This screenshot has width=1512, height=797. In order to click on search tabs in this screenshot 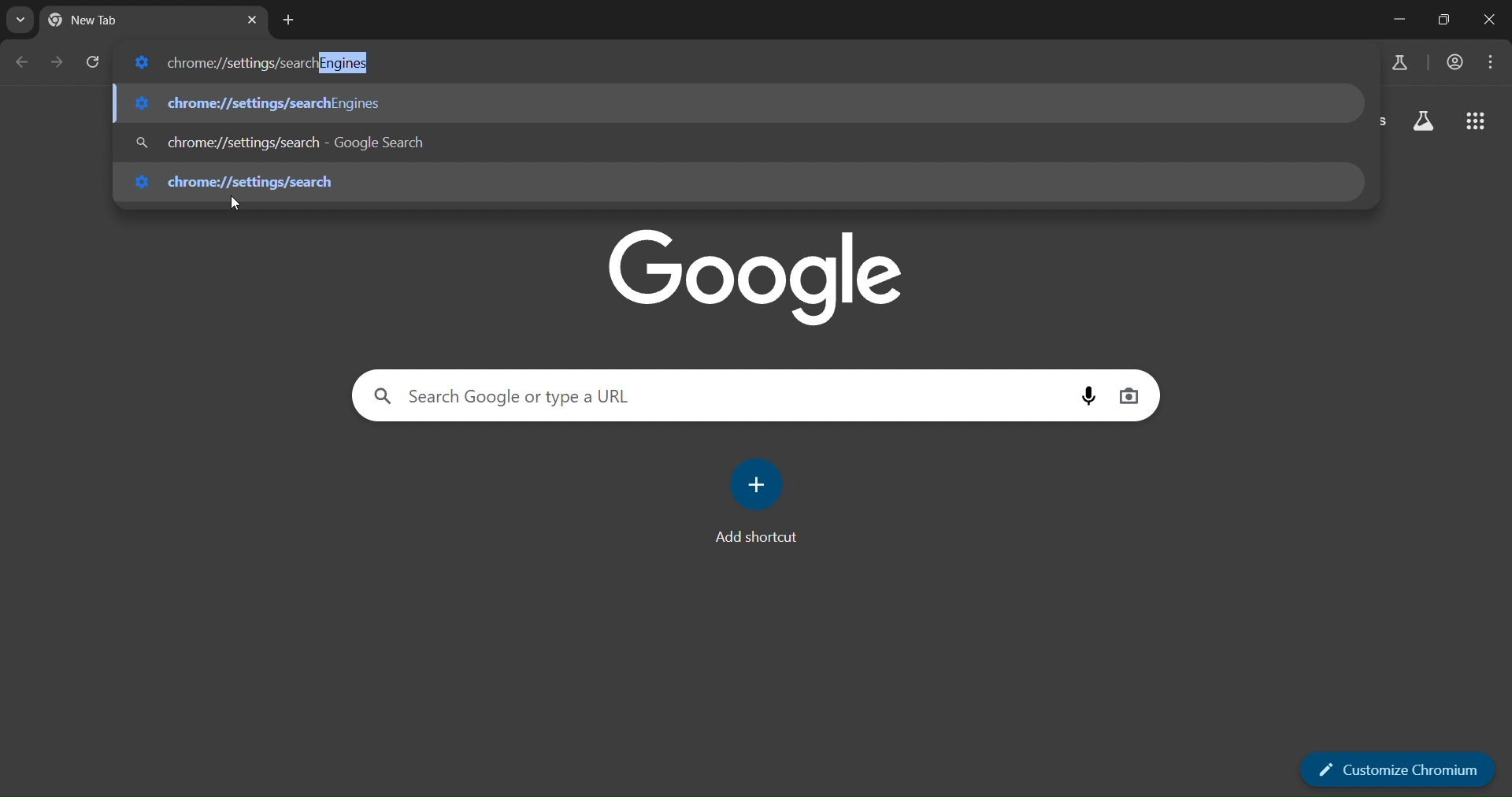, I will do `click(20, 23)`.